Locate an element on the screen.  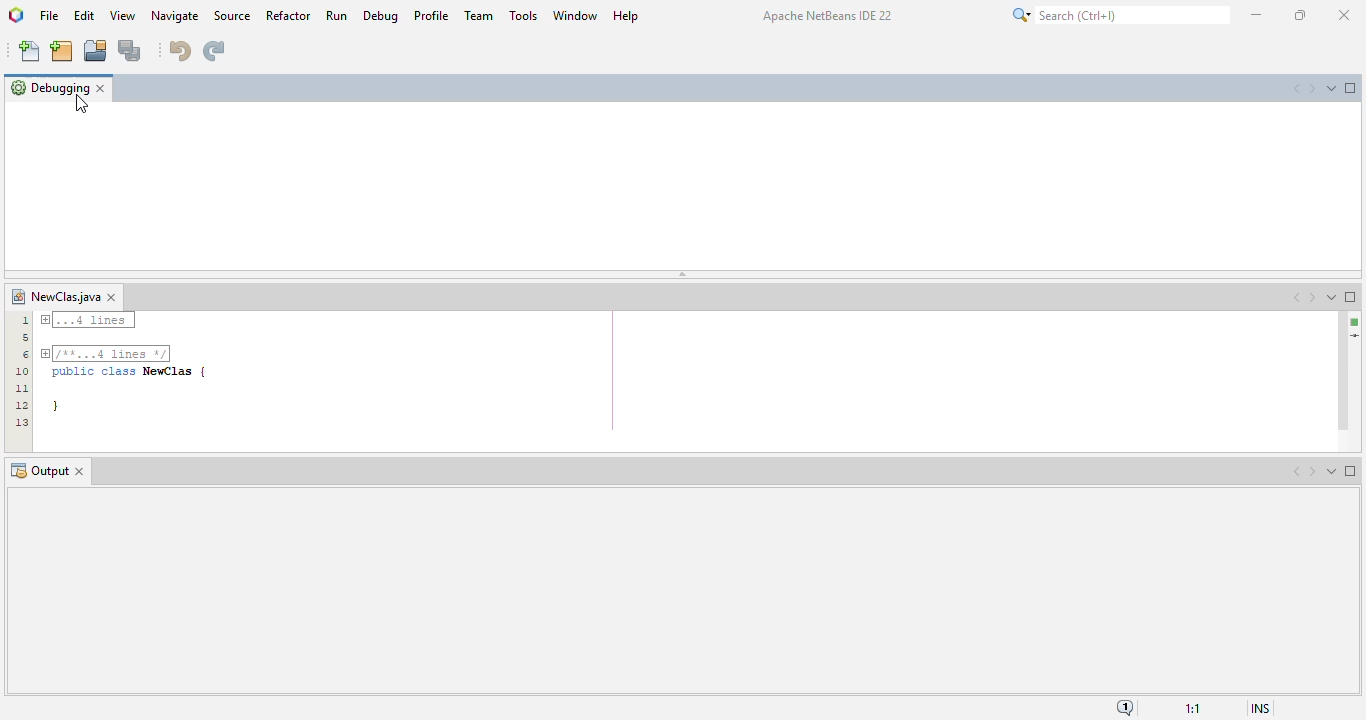
close window is located at coordinates (112, 297).